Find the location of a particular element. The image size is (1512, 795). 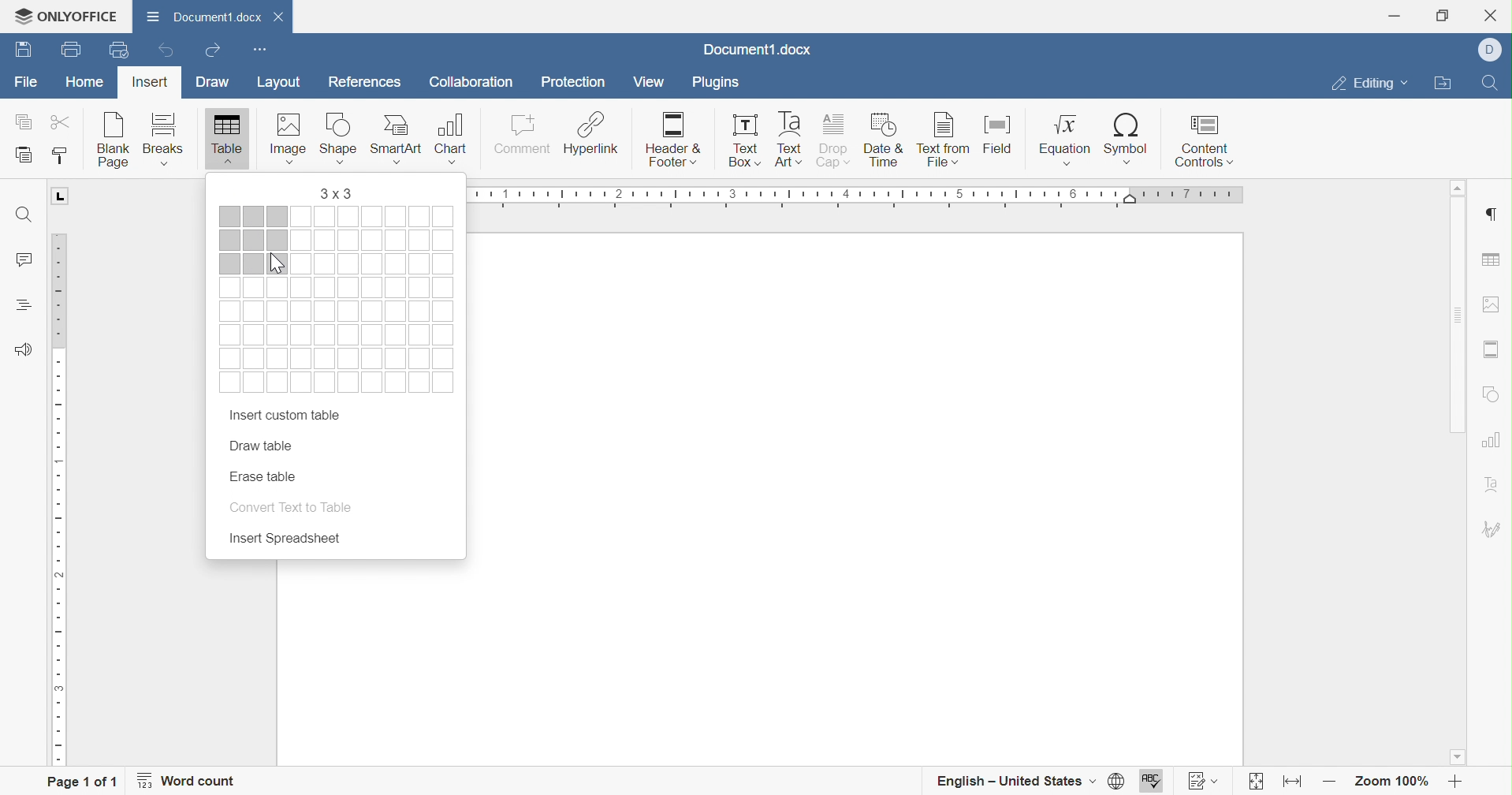

Insert custom table is located at coordinates (282, 416).